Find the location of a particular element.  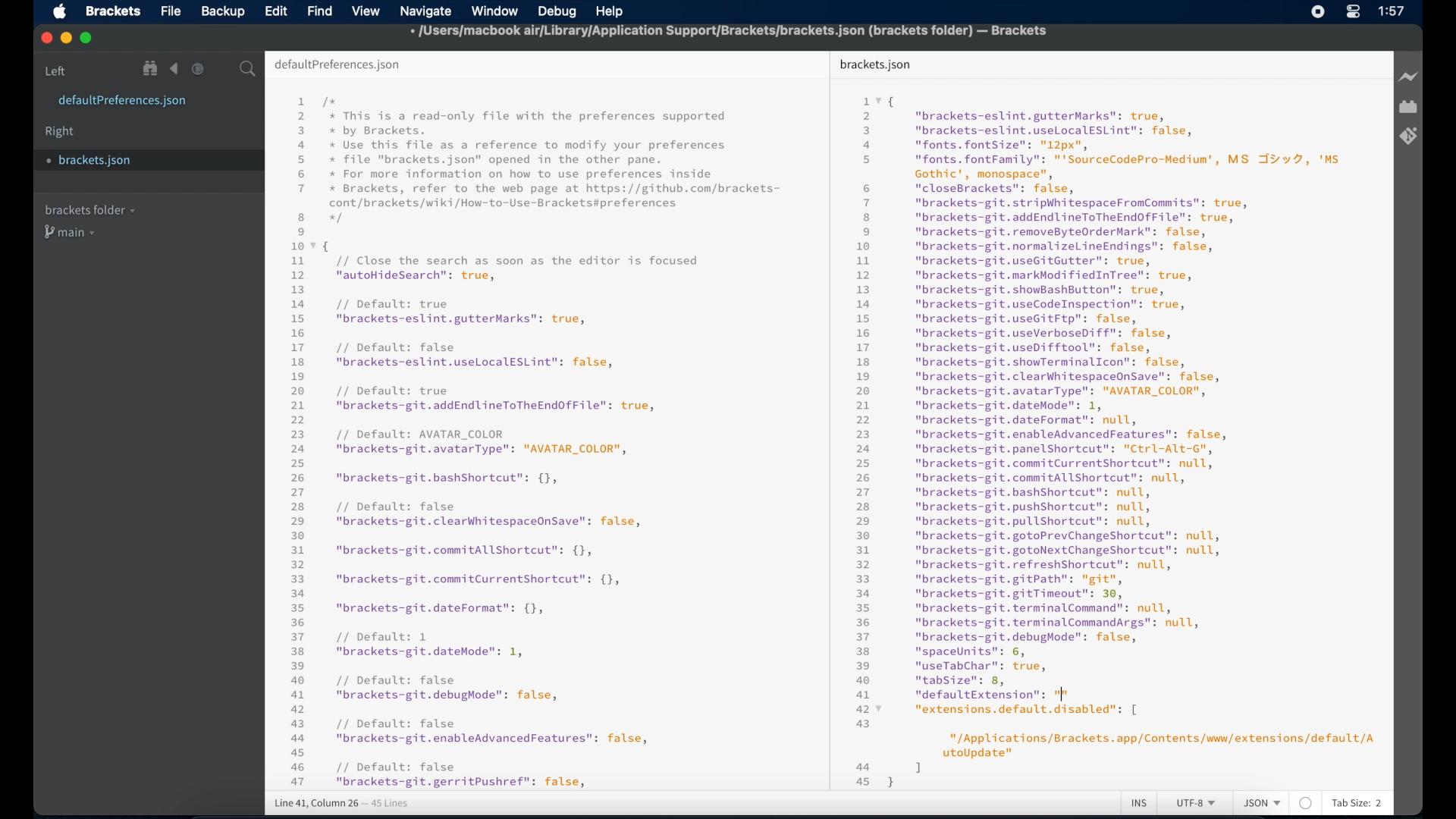

apple icon is located at coordinates (59, 12).